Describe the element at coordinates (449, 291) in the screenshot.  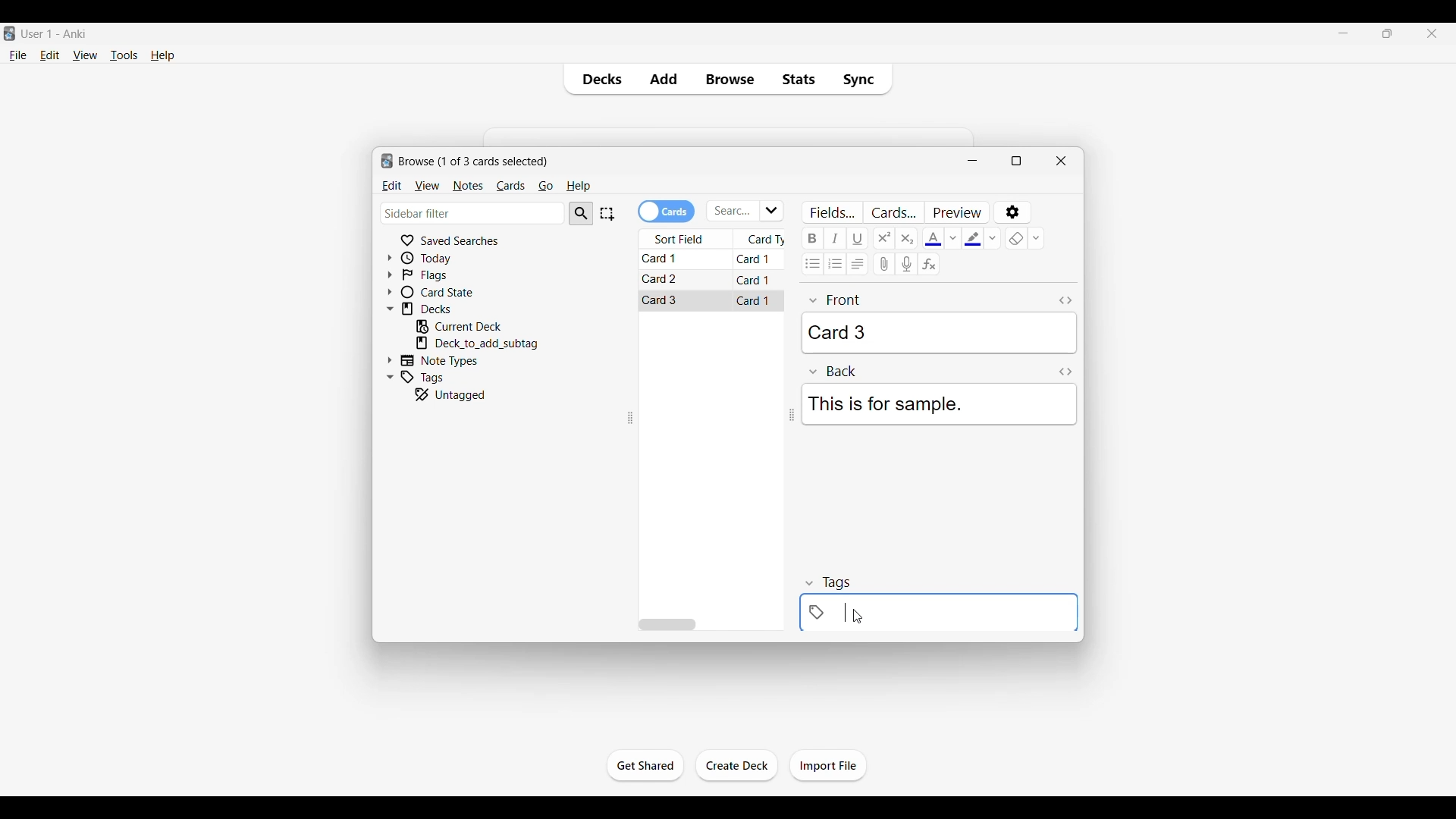
I see `Click to go to card state` at that location.